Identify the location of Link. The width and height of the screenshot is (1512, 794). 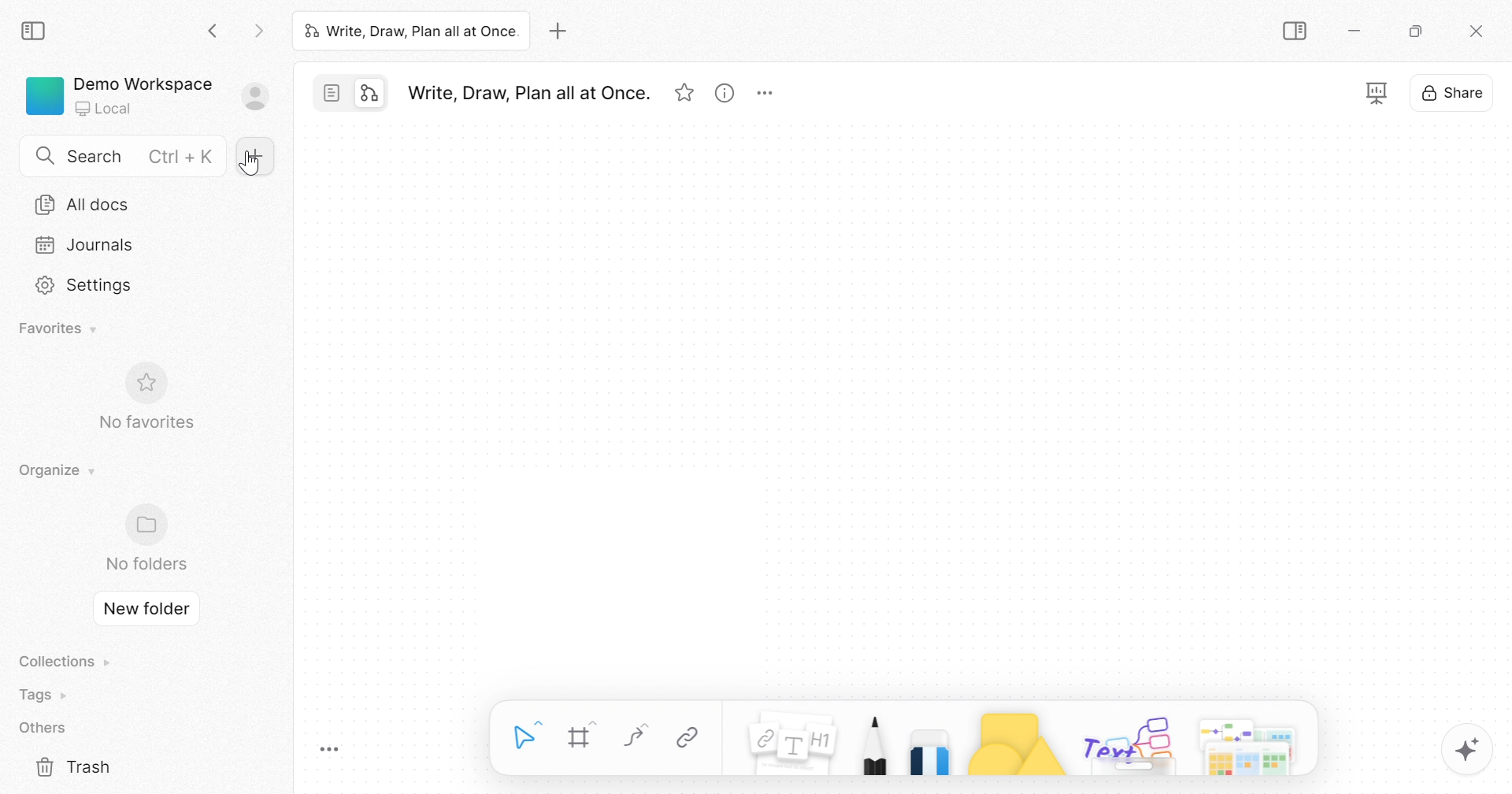
(688, 738).